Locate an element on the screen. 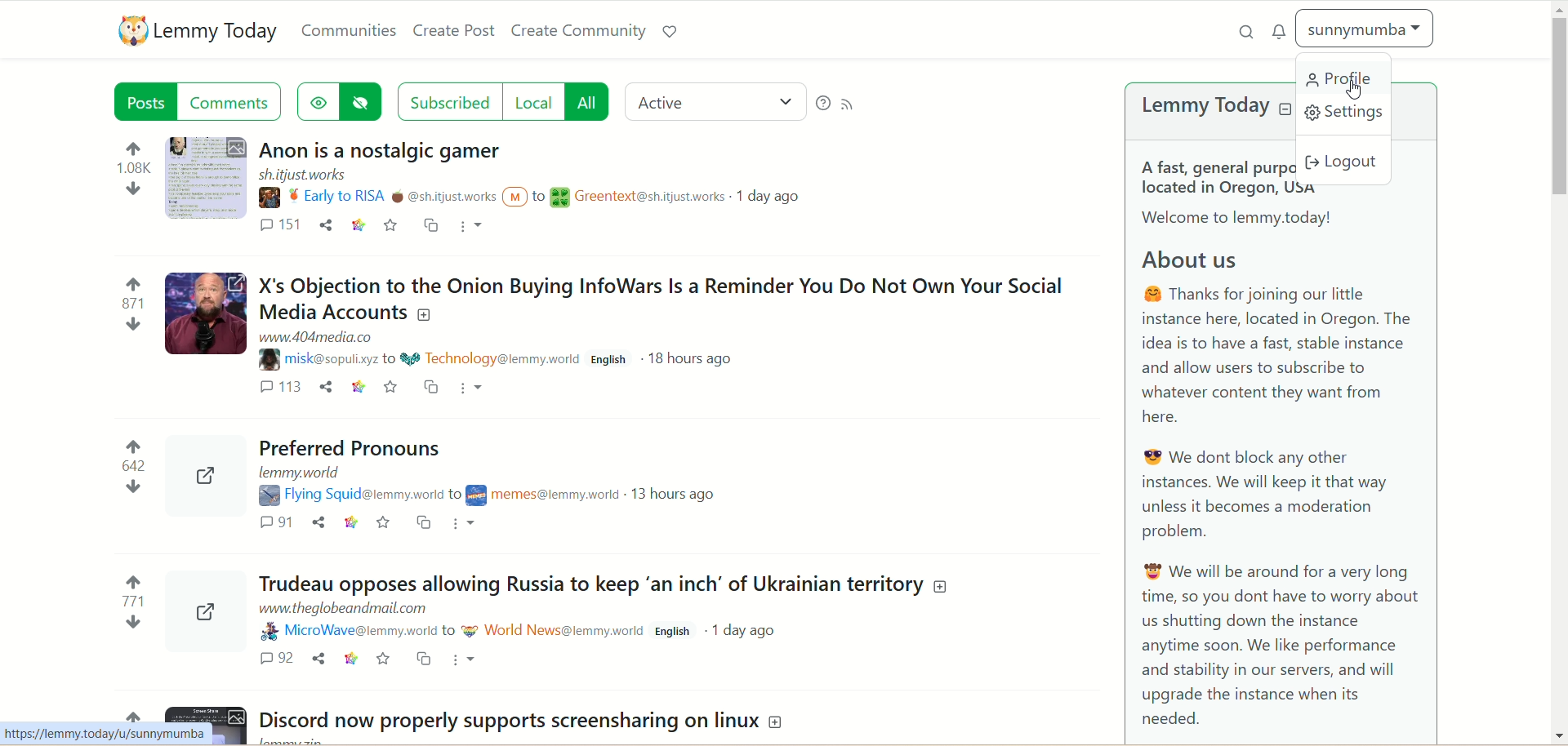 The width and height of the screenshot is (1568, 746). URL is located at coordinates (303, 175).